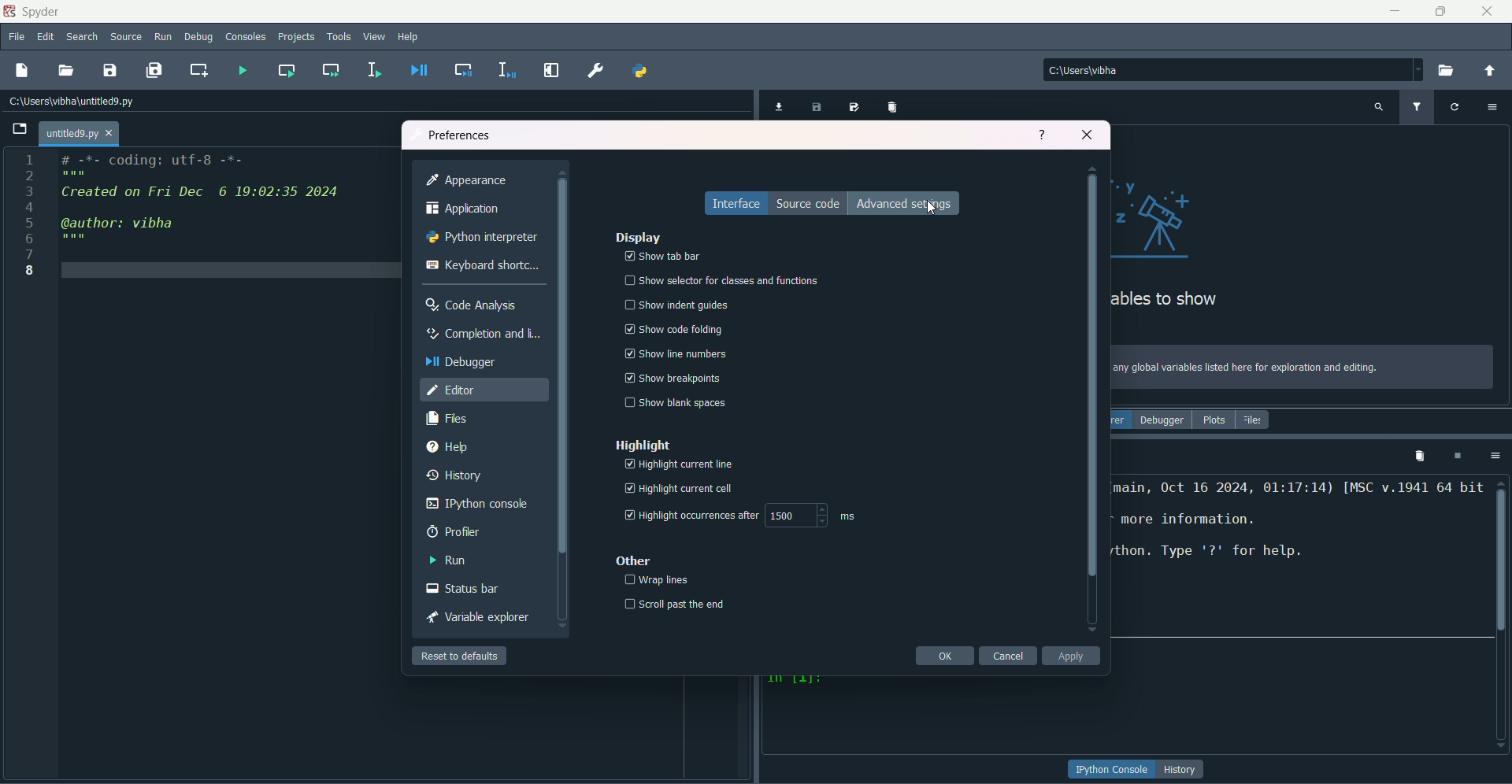 The width and height of the screenshot is (1512, 784). Describe the element at coordinates (1395, 11) in the screenshot. I see `minimize` at that location.